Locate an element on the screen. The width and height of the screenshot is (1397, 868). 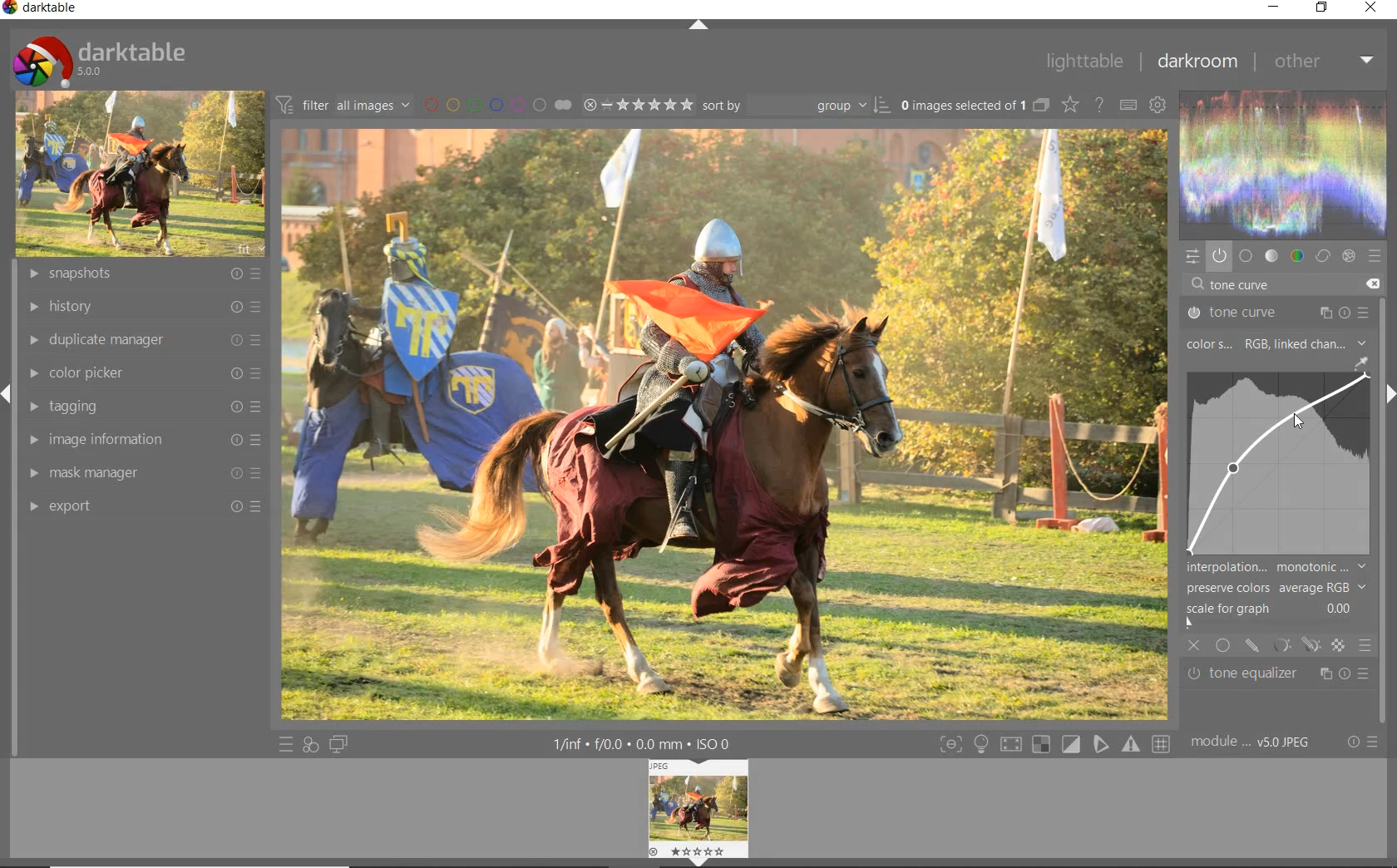
interpolation is located at coordinates (1276, 567).